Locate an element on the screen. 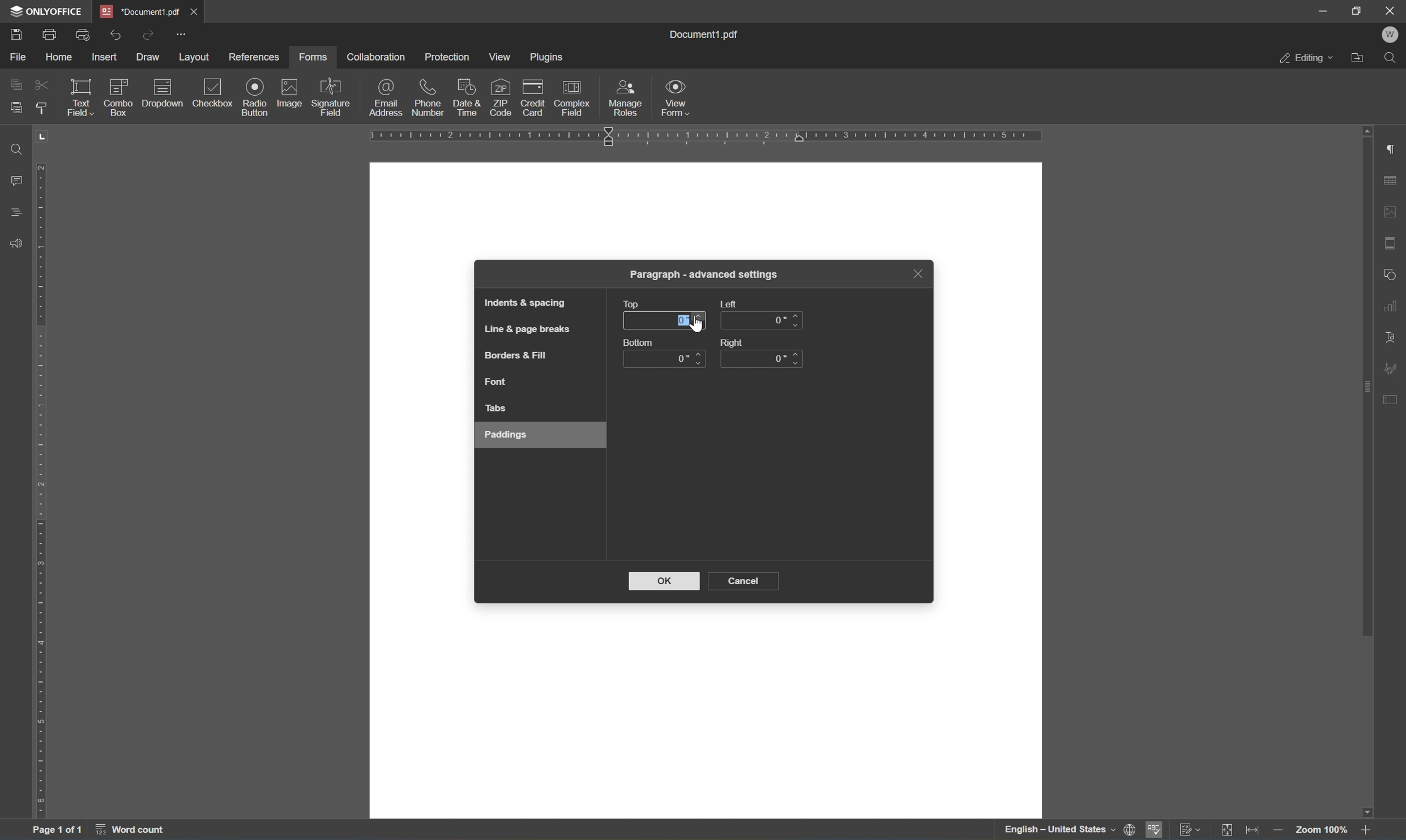  0 is located at coordinates (683, 362).